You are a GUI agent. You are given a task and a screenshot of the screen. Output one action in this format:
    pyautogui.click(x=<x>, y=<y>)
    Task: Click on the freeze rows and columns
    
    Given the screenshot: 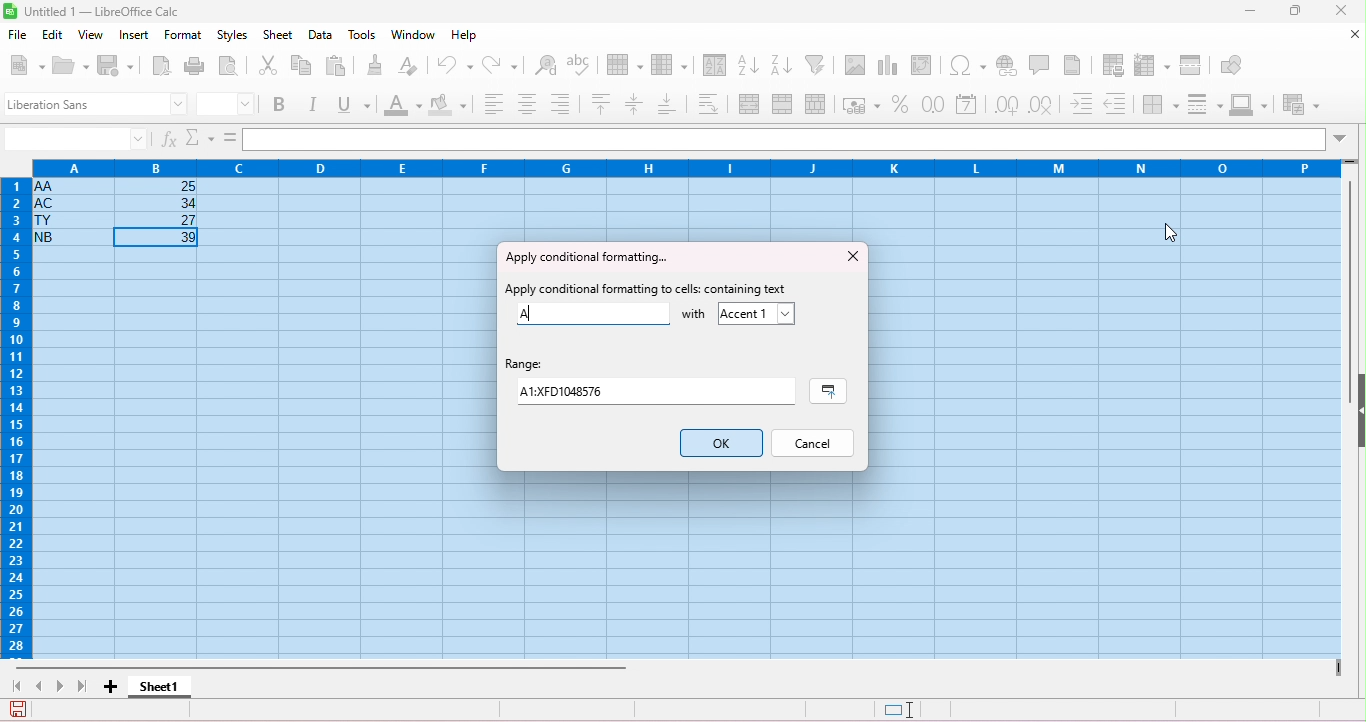 What is the action you would take?
    pyautogui.click(x=1154, y=64)
    